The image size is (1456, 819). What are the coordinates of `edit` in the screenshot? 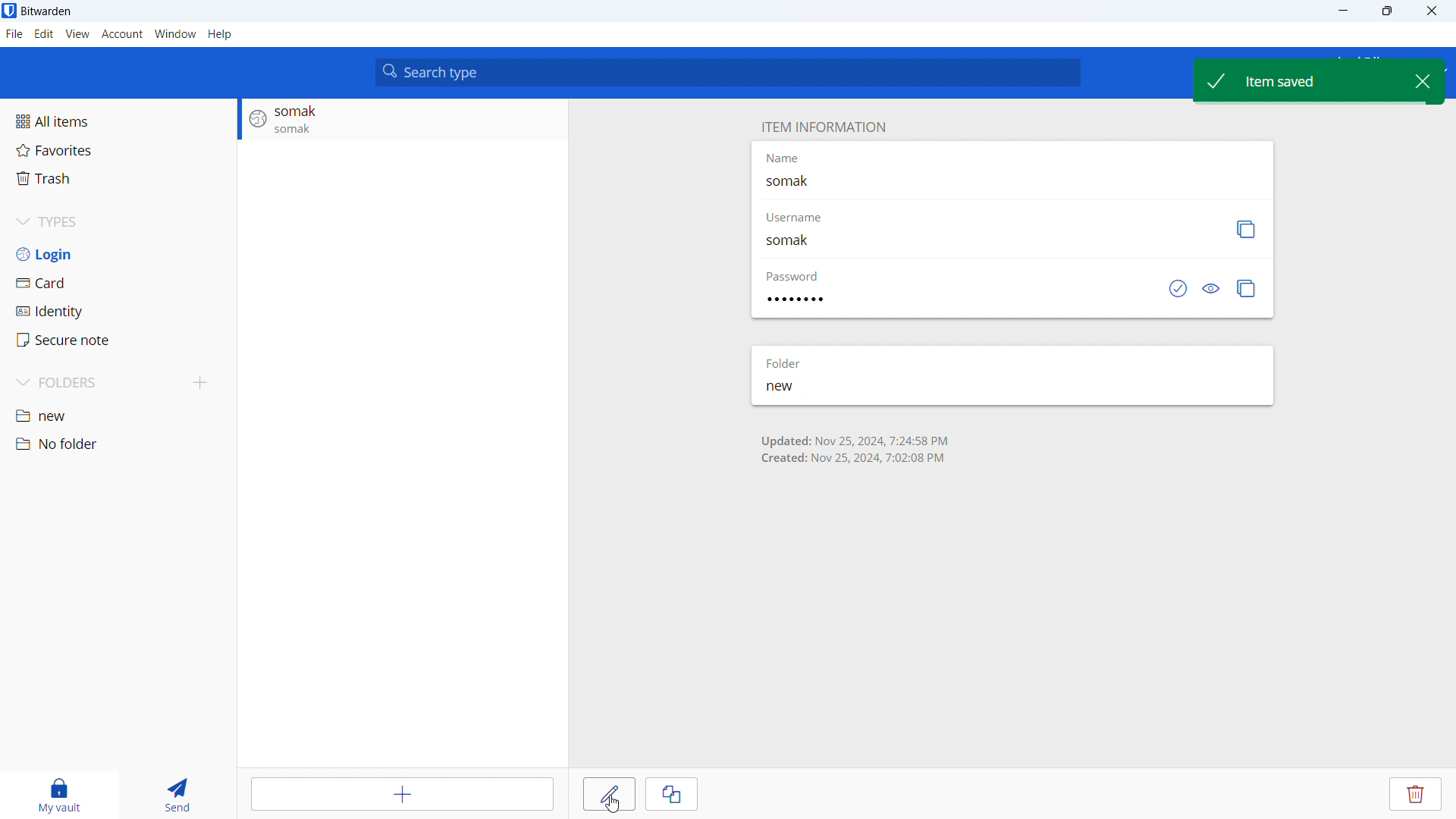 It's located at (609, 794).